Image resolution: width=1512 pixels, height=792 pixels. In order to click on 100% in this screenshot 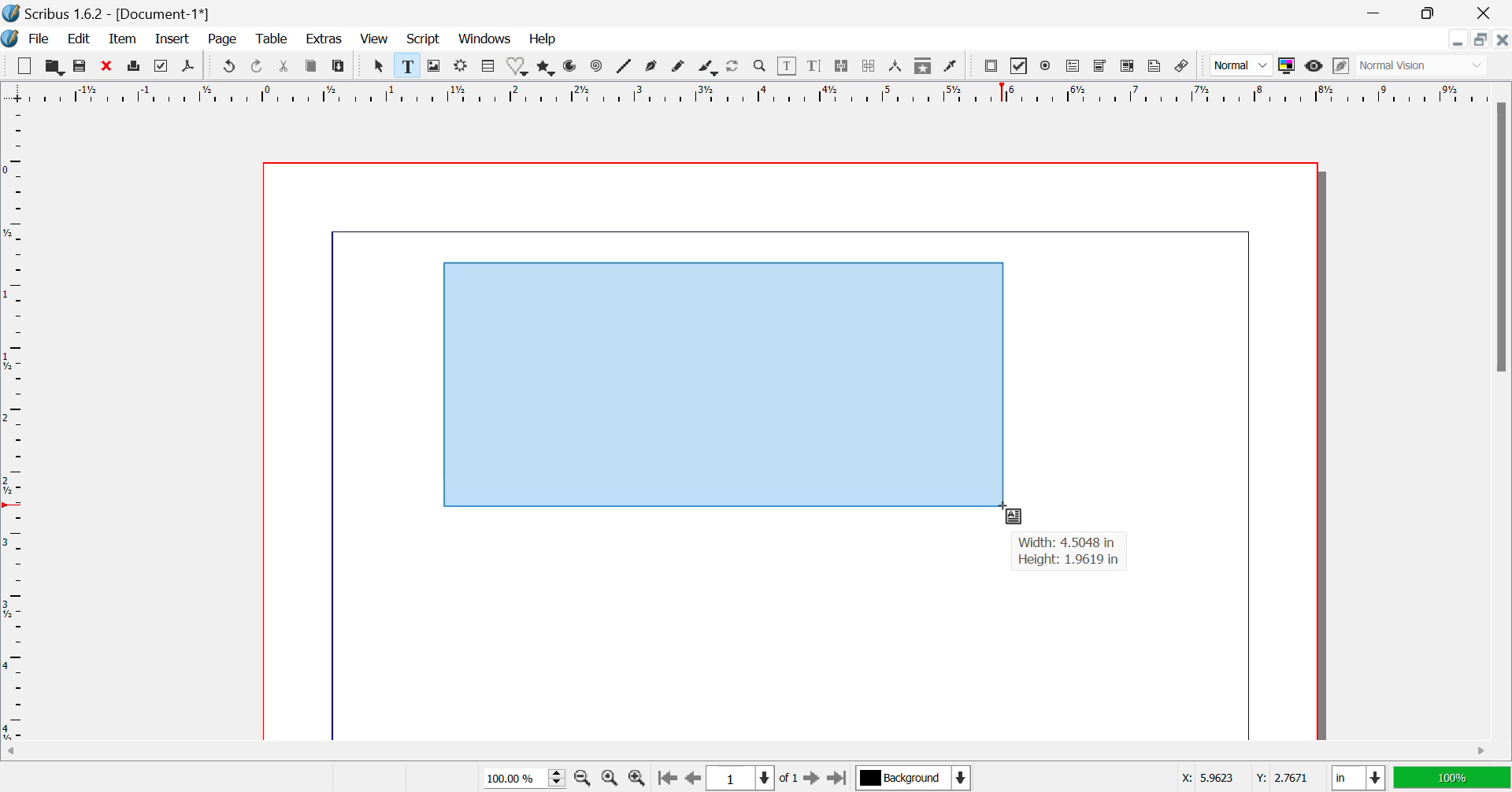, I will do `click(1451, 778)`.